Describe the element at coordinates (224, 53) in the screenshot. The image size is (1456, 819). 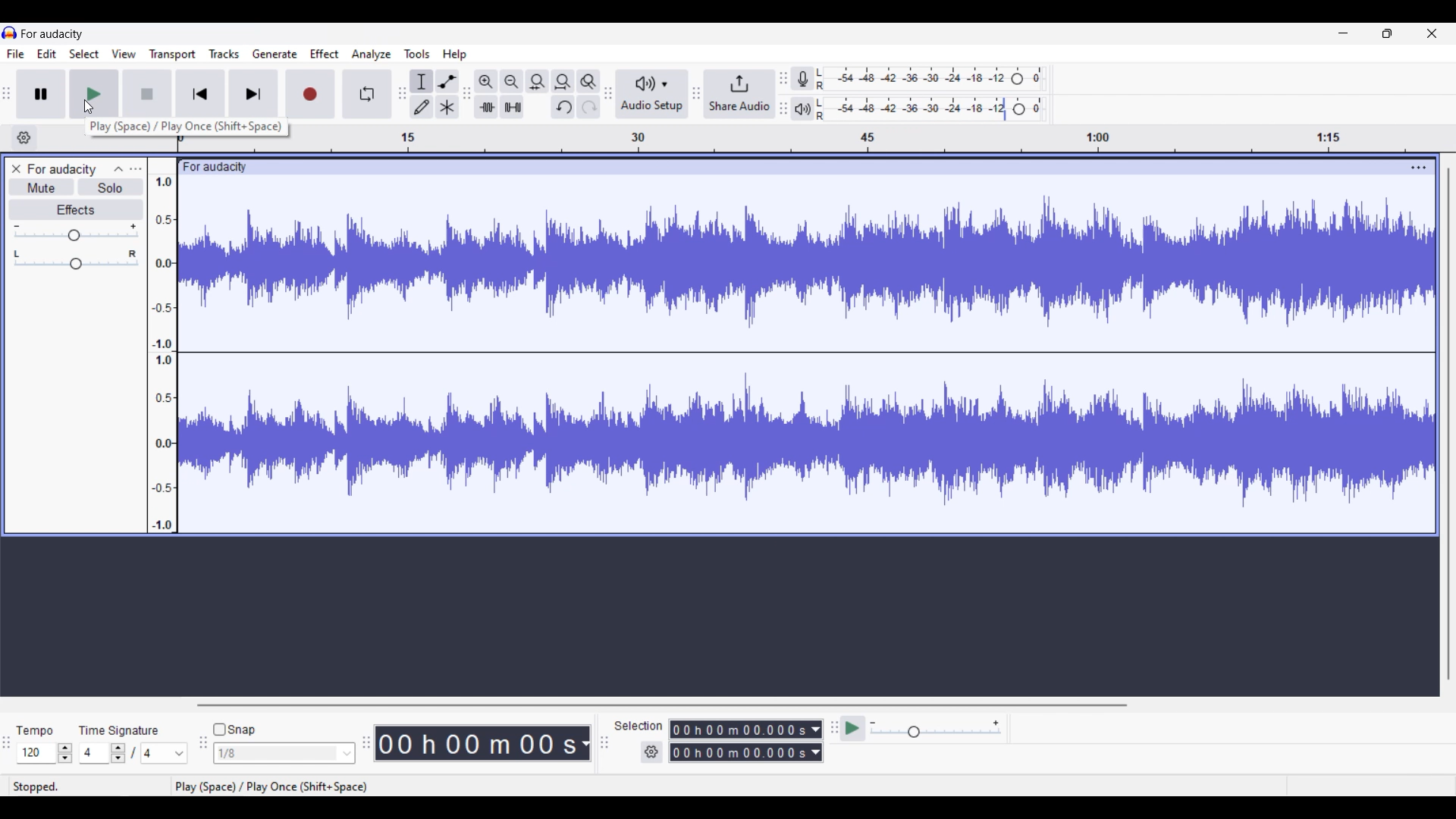
I see `Tracks menu` at that location.